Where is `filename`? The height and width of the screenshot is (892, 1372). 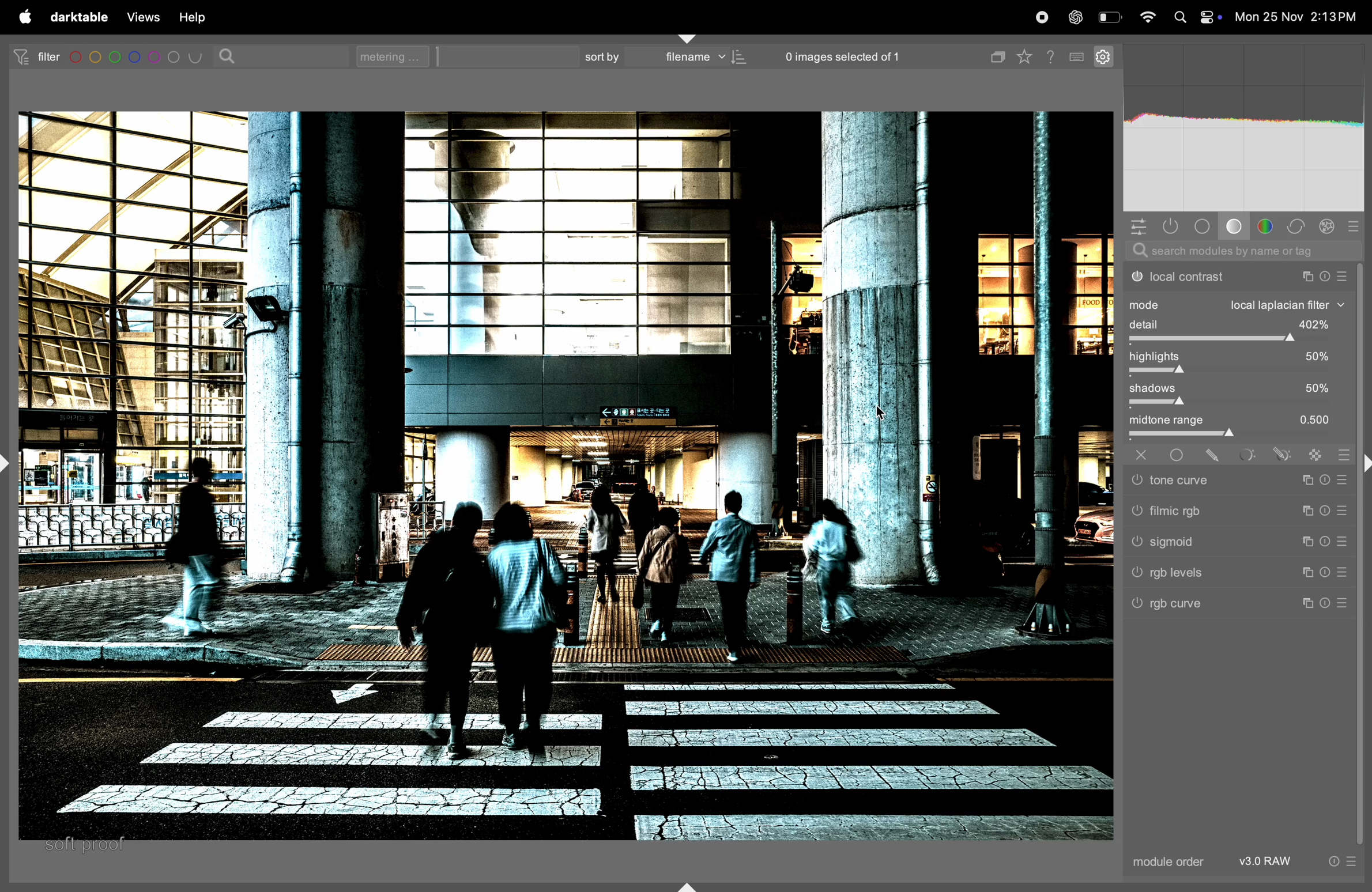 filename is located at coordinates (701, 58).